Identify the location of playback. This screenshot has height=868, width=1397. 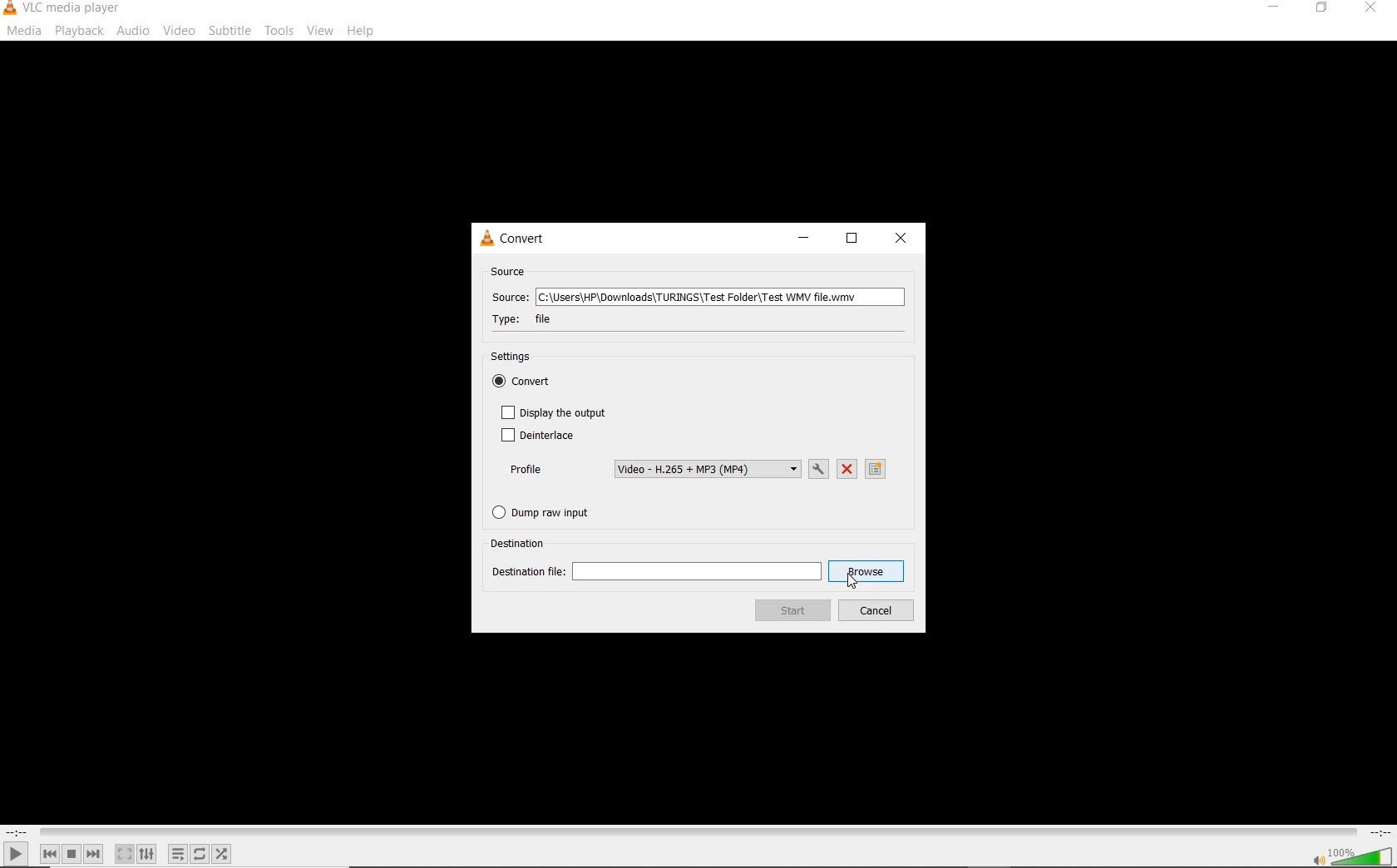
(79, 31).